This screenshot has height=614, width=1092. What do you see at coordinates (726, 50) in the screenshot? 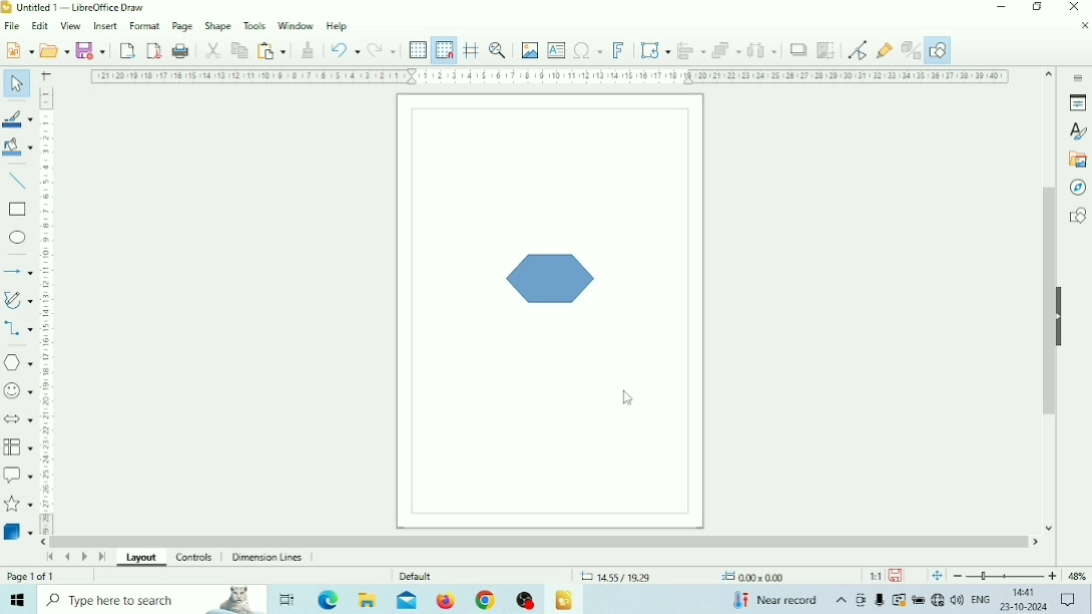
I see `Arrange` at bounding box center [726, 50].